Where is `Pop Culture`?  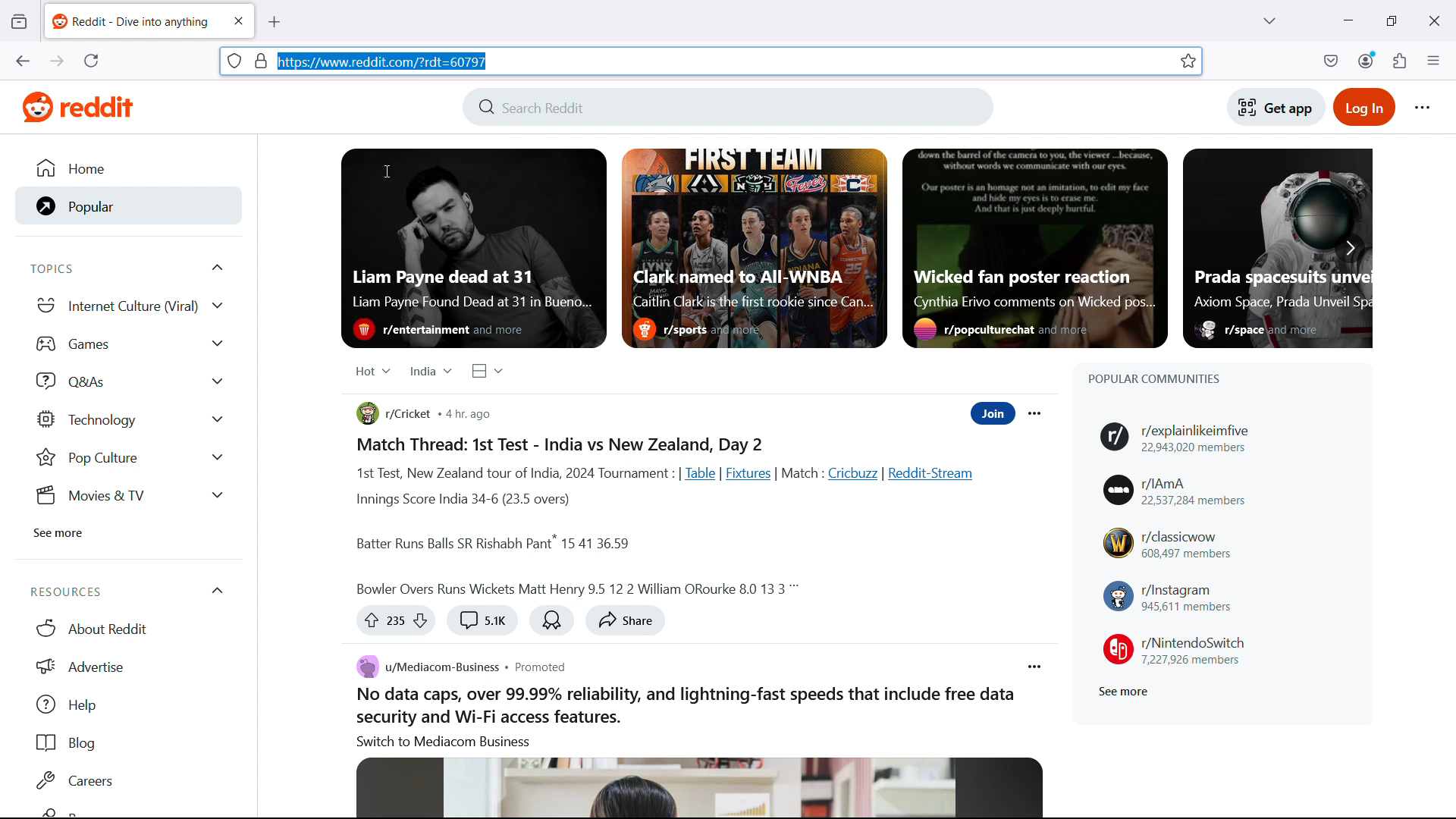 Pop Culture is located at coordinates (129, 459).